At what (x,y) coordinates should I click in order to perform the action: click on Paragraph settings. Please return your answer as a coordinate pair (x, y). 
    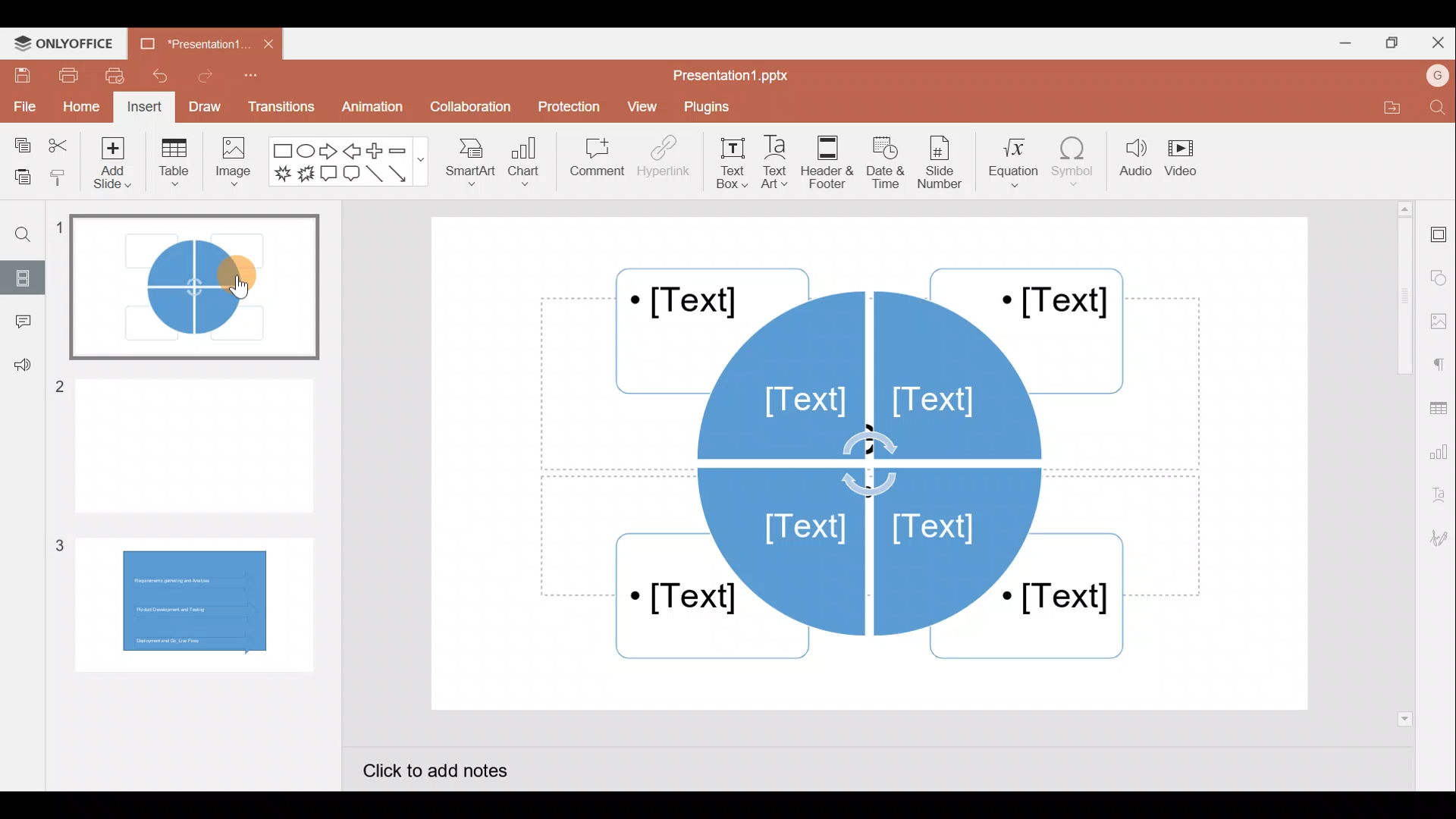
    Looking at the image, I should click on (1441, 365).